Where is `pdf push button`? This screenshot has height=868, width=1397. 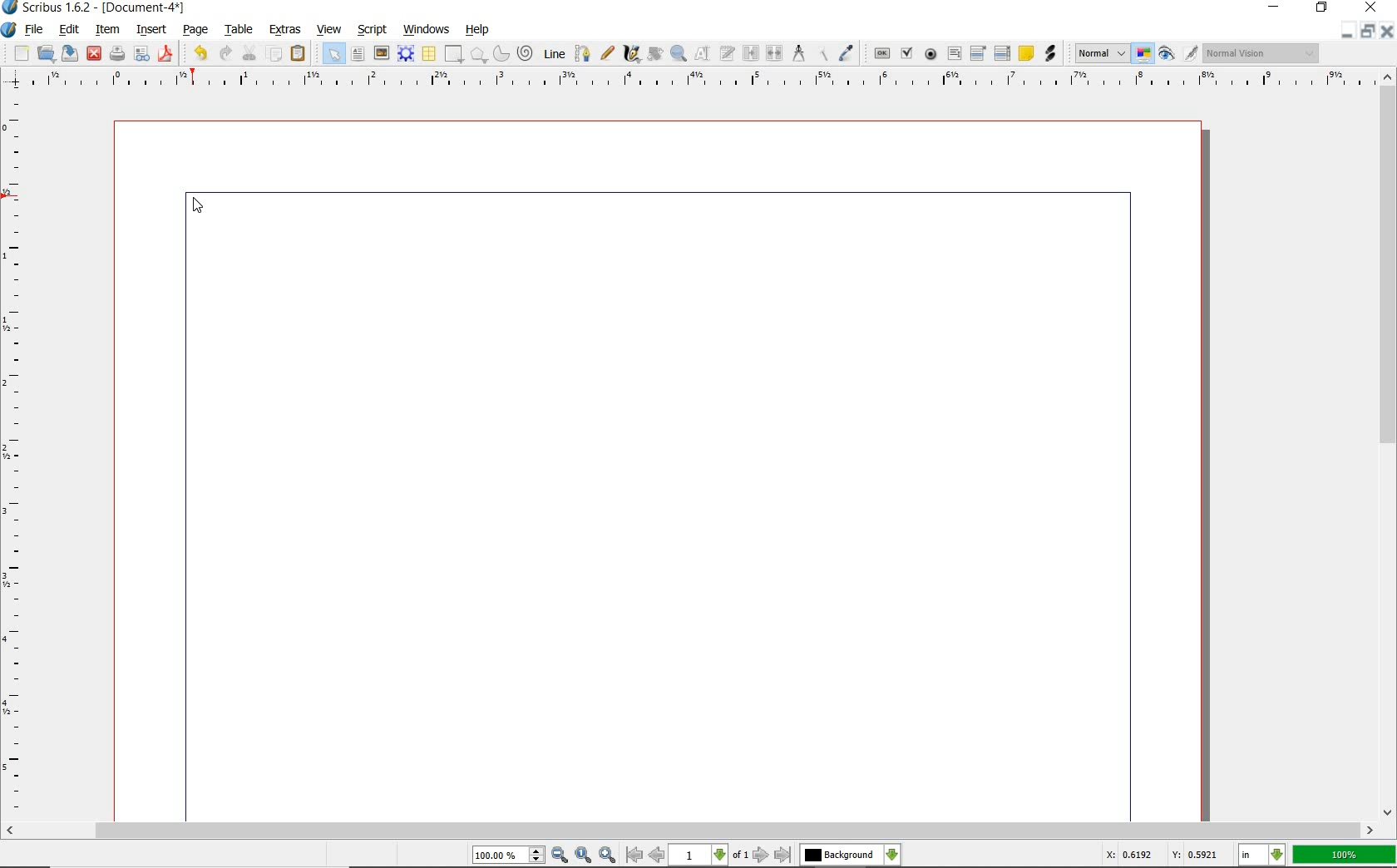 pdf push button is located at coordinates (879, 52).